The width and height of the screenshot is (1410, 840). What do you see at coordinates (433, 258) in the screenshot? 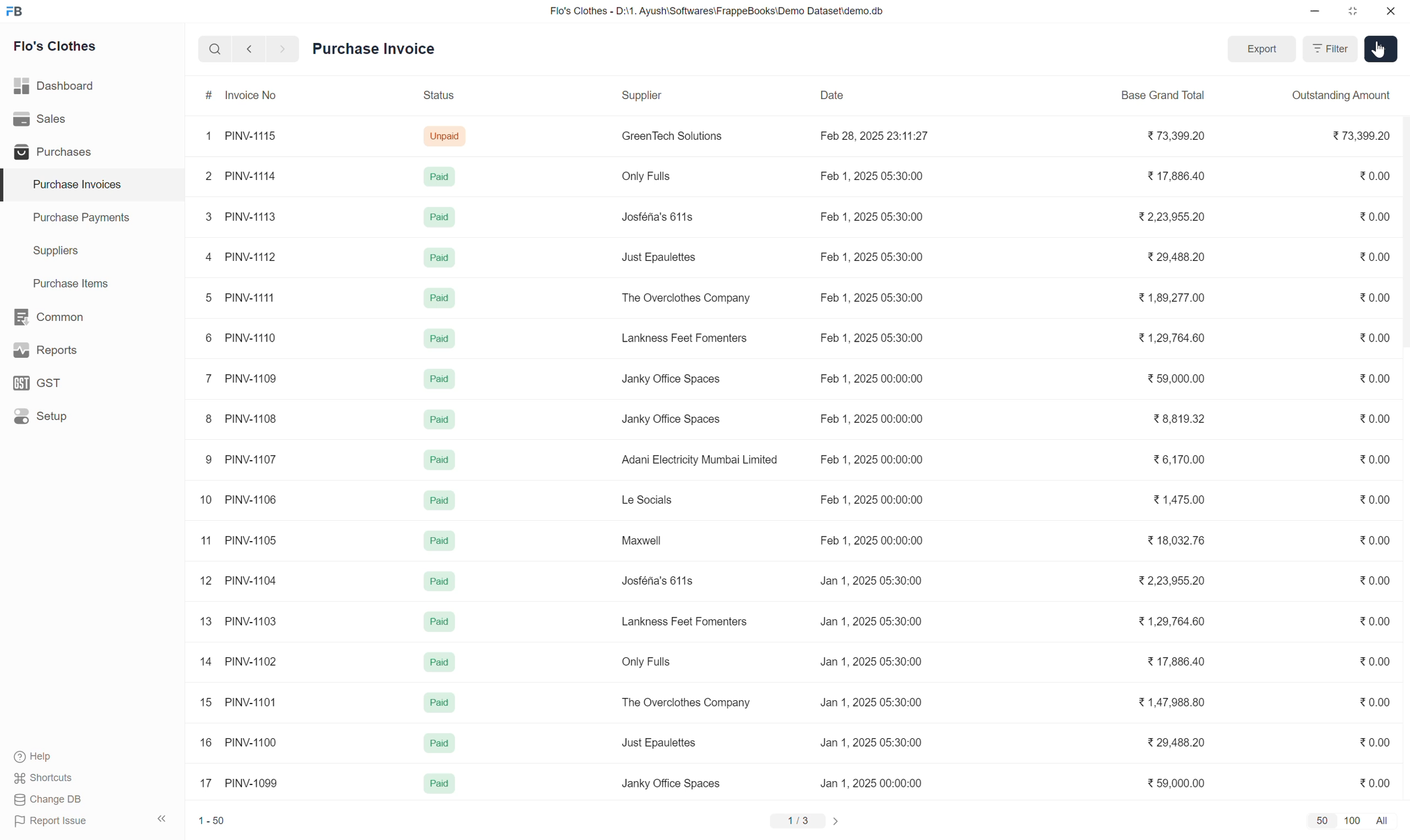
I see `Paid` at bounding box center [433, 258].